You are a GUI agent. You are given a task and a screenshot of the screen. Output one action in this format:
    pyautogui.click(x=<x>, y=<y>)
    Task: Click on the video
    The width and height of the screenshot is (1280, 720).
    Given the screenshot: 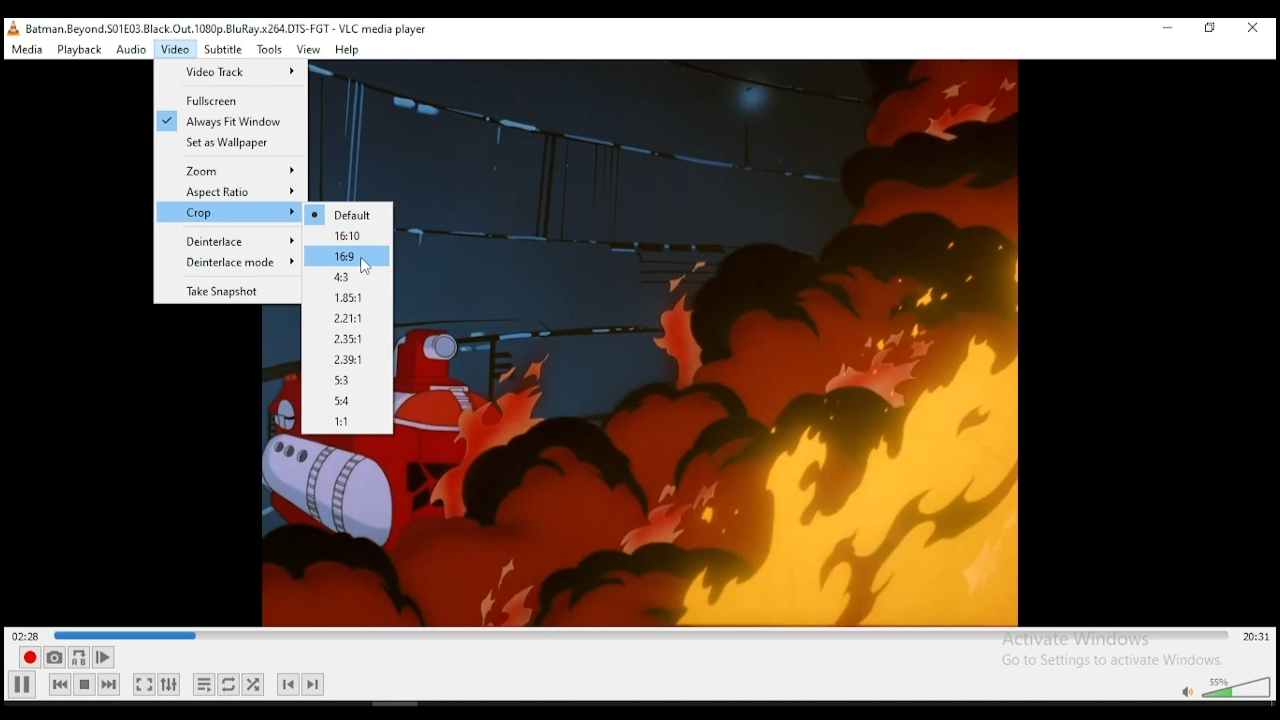 What is the action you would take?
    pyautogui.click(x=177, y=49)
    